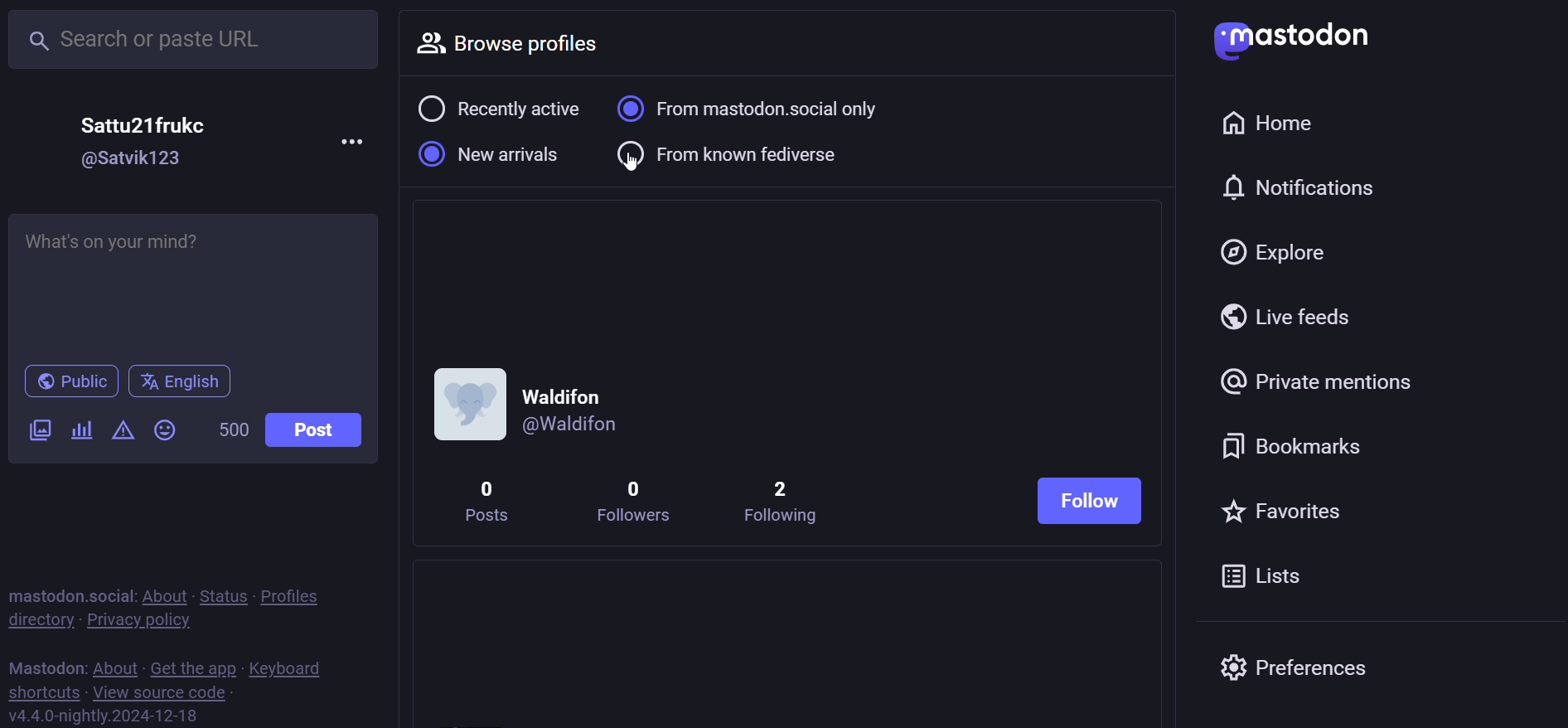 This screenshot has width=1568, height=728. Describe the element at coordinates (321, 434) in the screenshot. I see `post` at that location.